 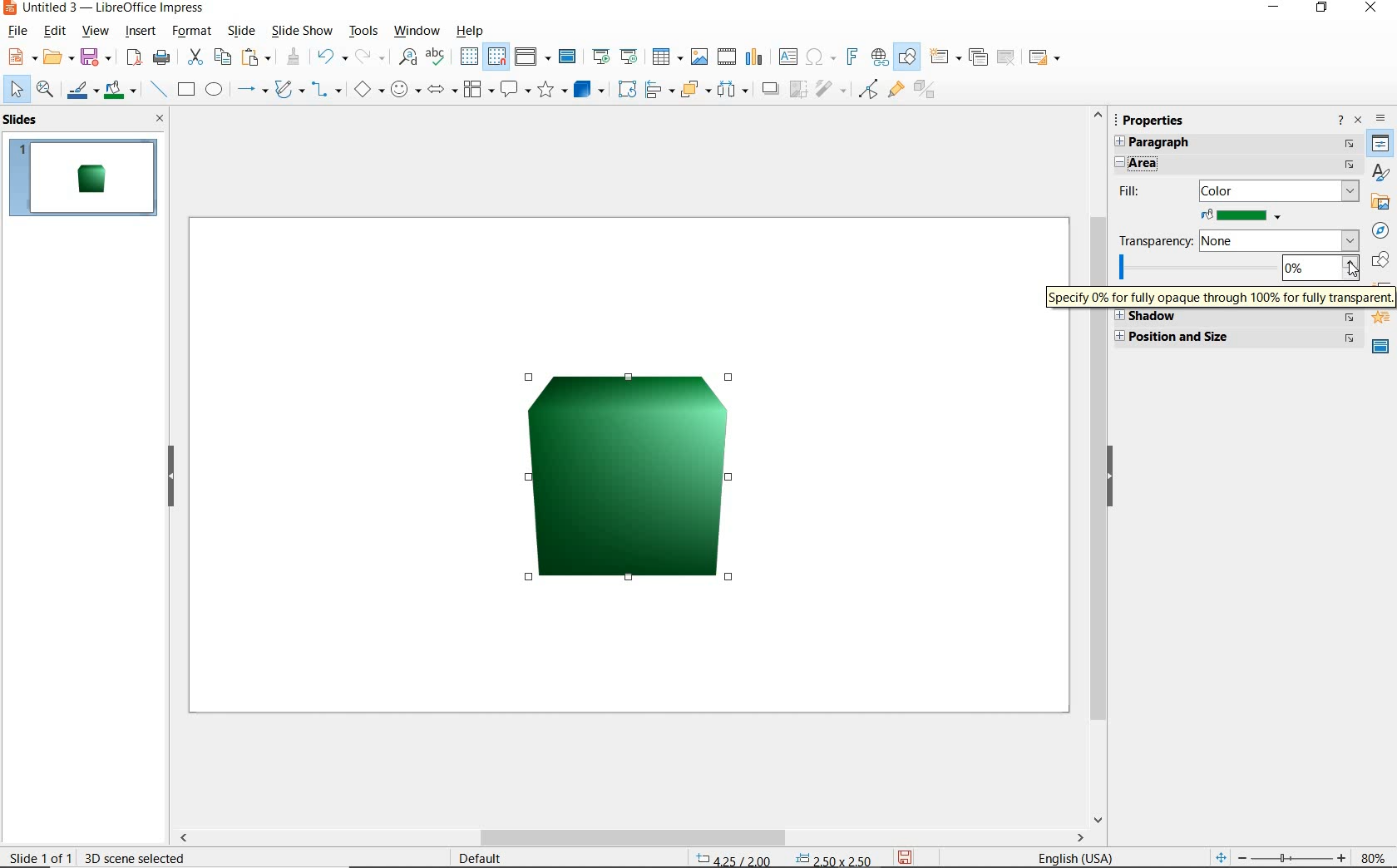 I want to click on select, so click(x=16, y=90).